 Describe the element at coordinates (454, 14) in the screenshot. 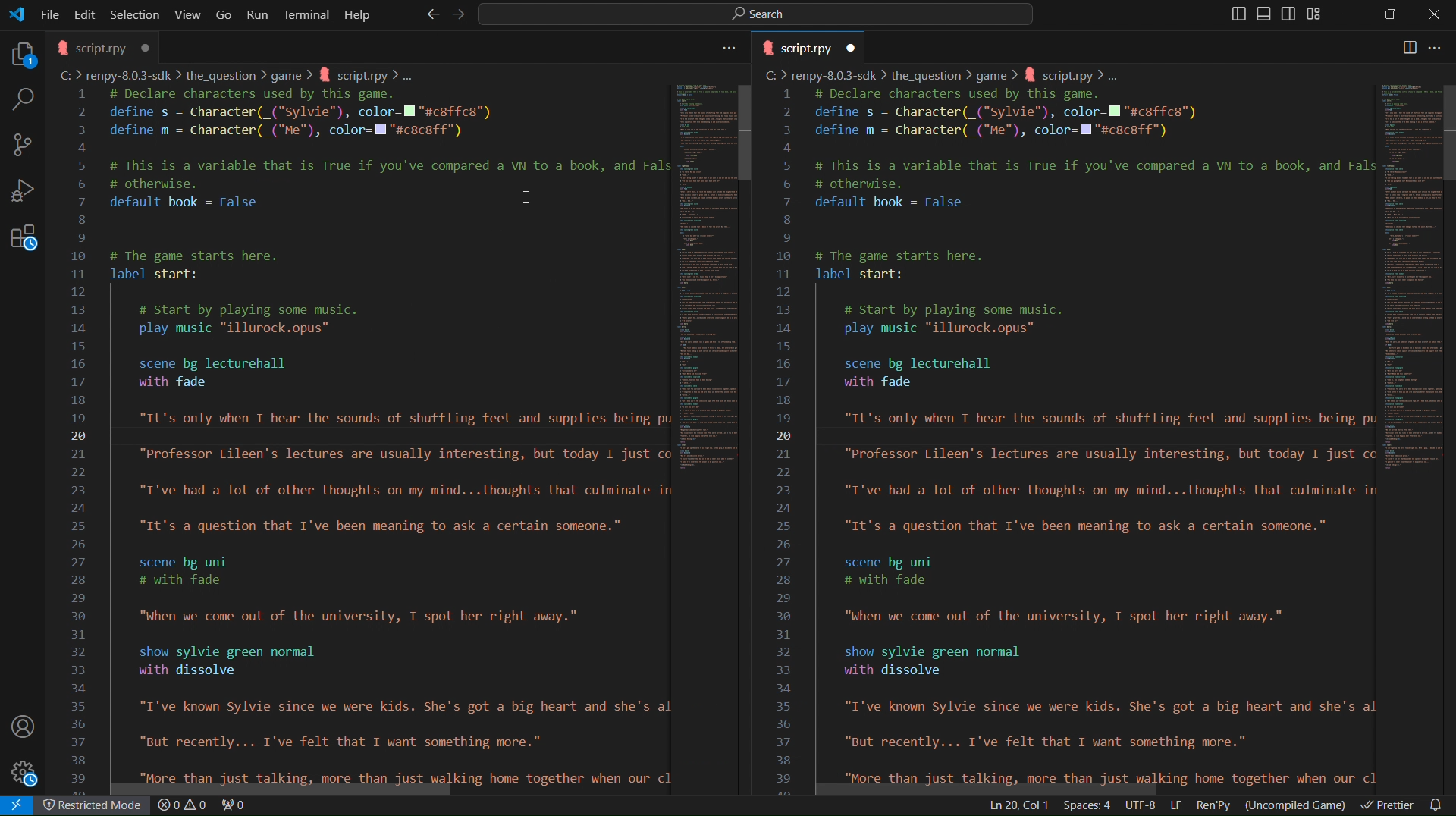

I see `Forward` at that location.